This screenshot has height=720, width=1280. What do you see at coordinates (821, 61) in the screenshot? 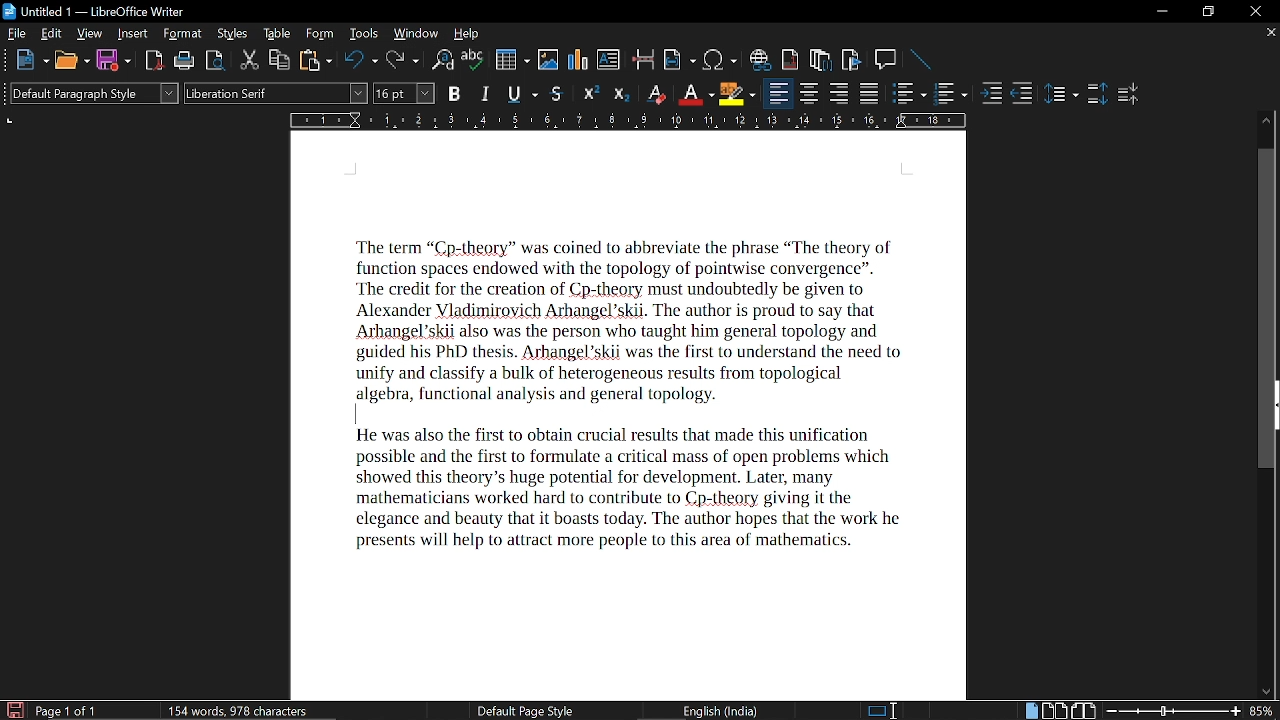
I see `Insert endnote` at bounding box center [821, 61].